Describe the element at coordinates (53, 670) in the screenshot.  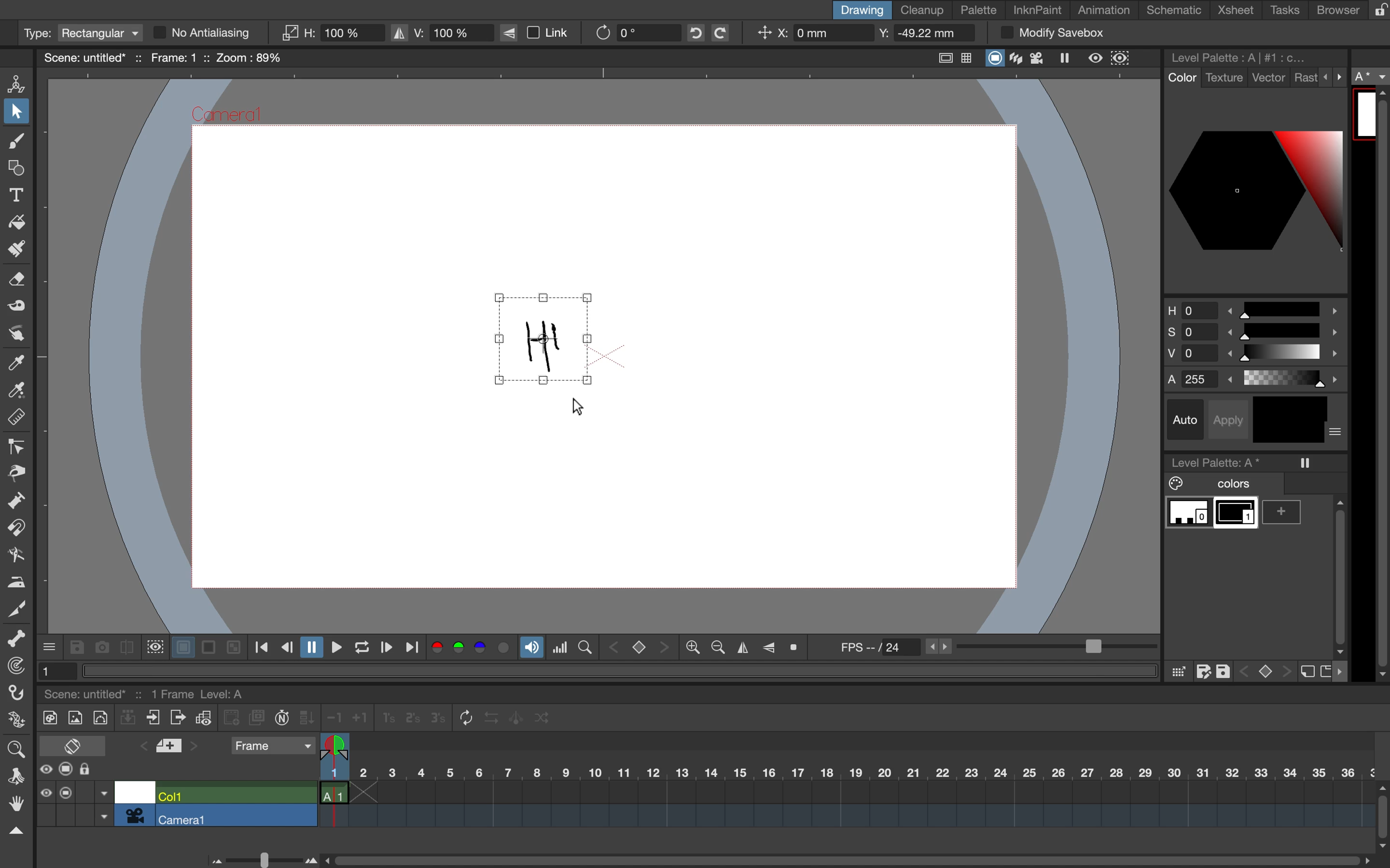
I see `1` at that location.